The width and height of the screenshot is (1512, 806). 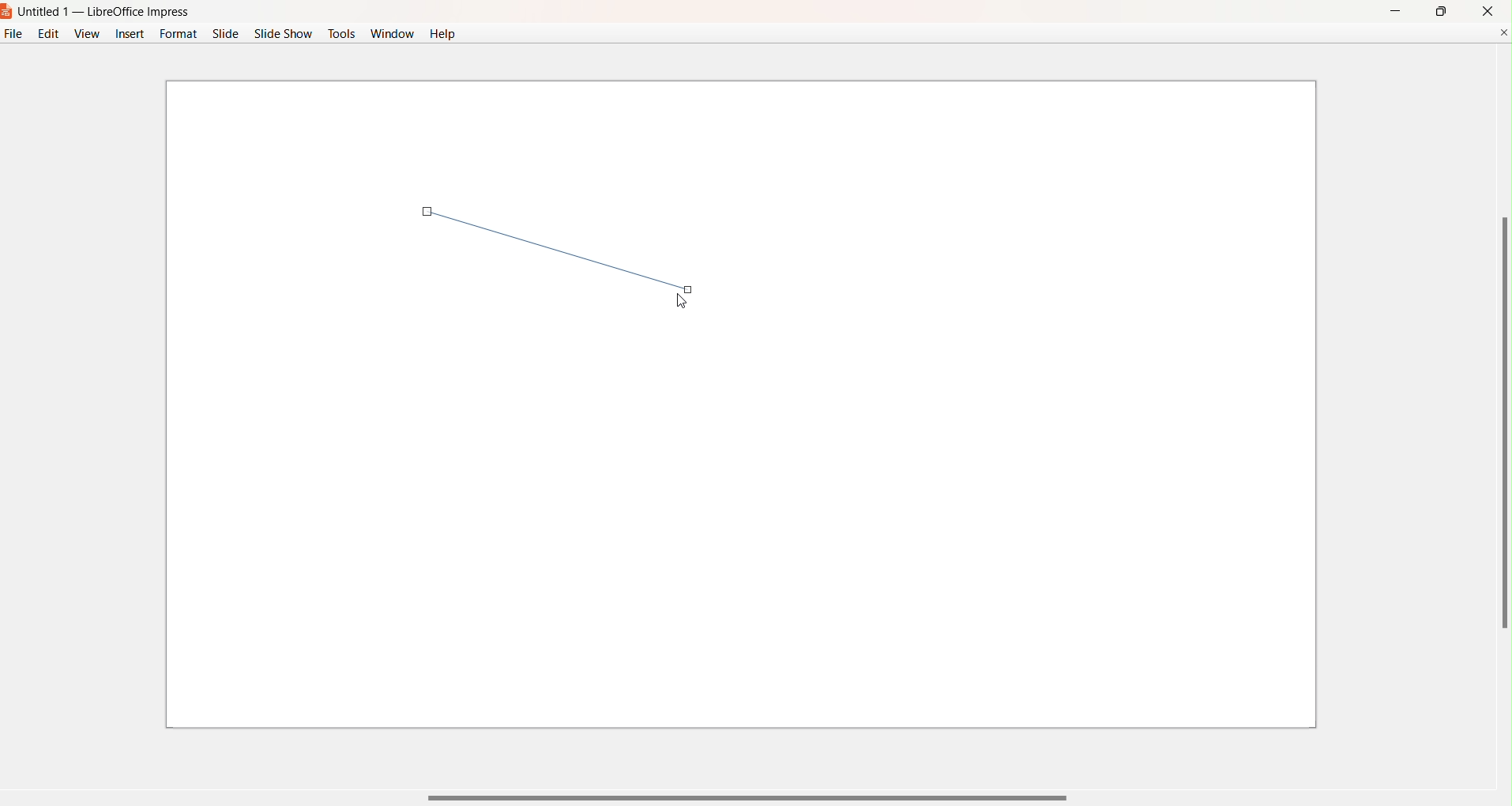 What do you see at coordinates (86, 33) in the screenshot?
I see `View` at bounding box center [86, 33].